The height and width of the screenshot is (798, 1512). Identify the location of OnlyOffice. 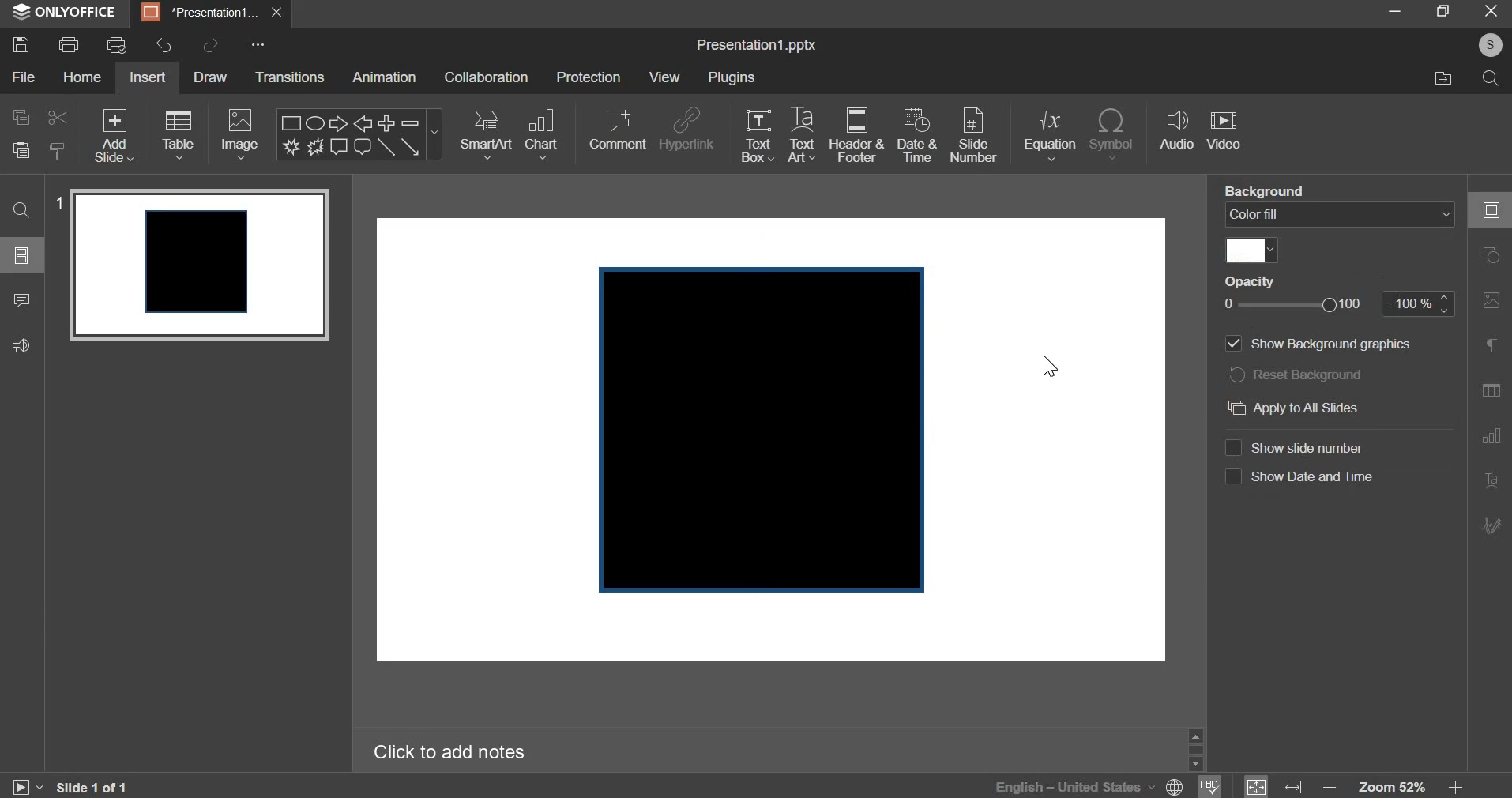
(66, 12).